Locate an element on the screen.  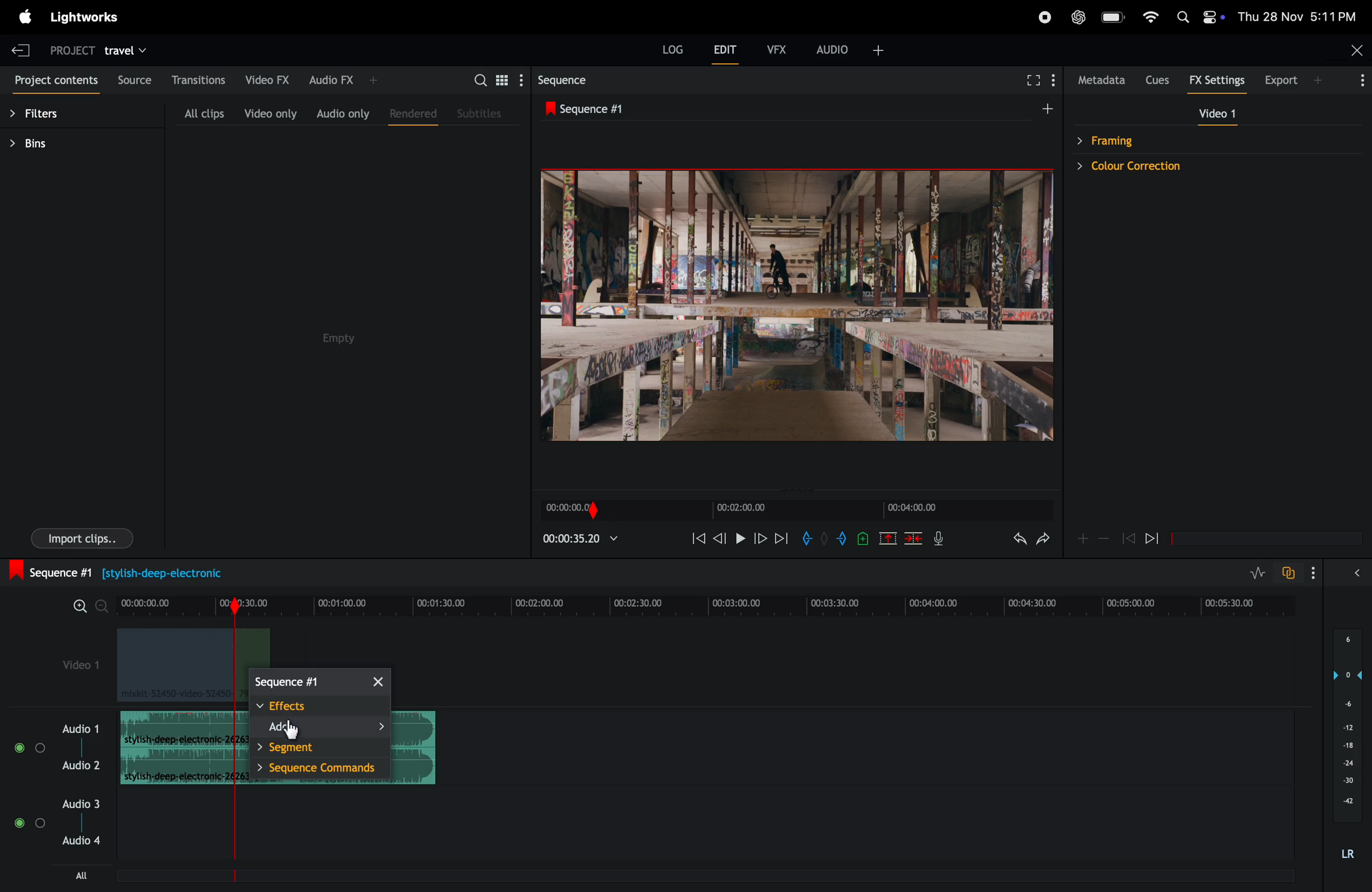
 is located at coordinates (18, 746).